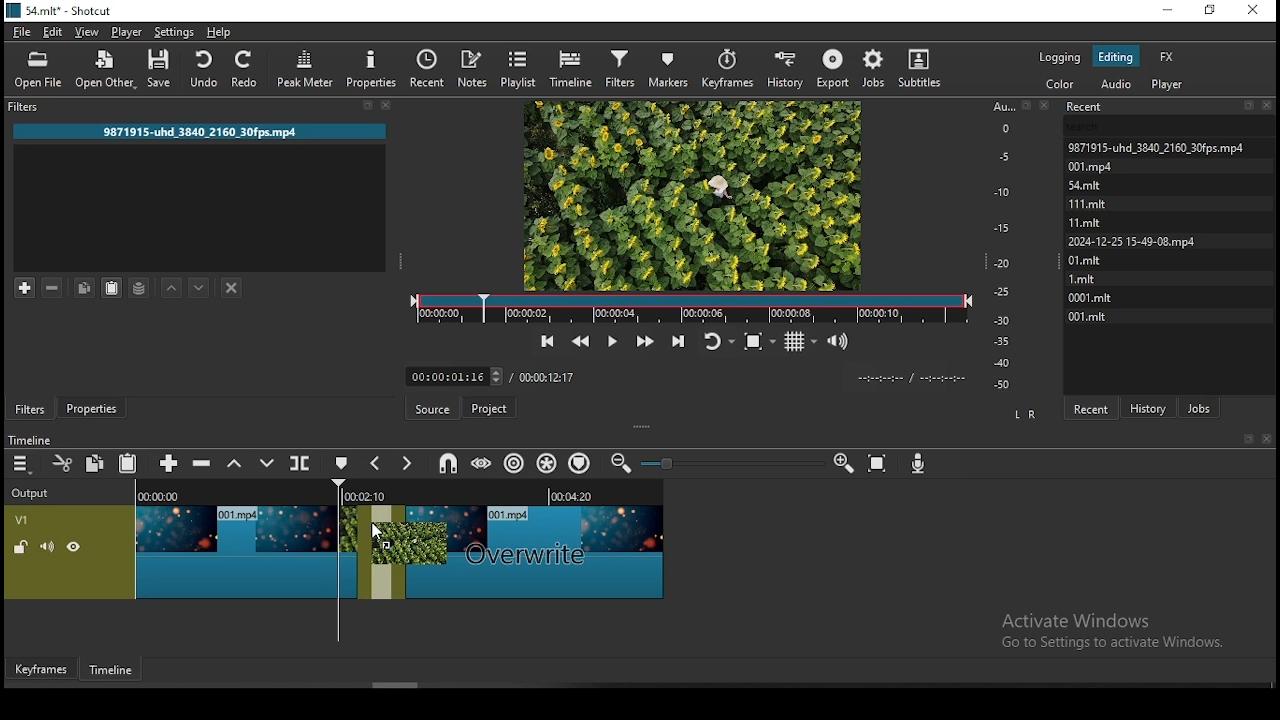  Describe the element at coordinates (547, 377) in the screenshot. I see `total time` at that location.